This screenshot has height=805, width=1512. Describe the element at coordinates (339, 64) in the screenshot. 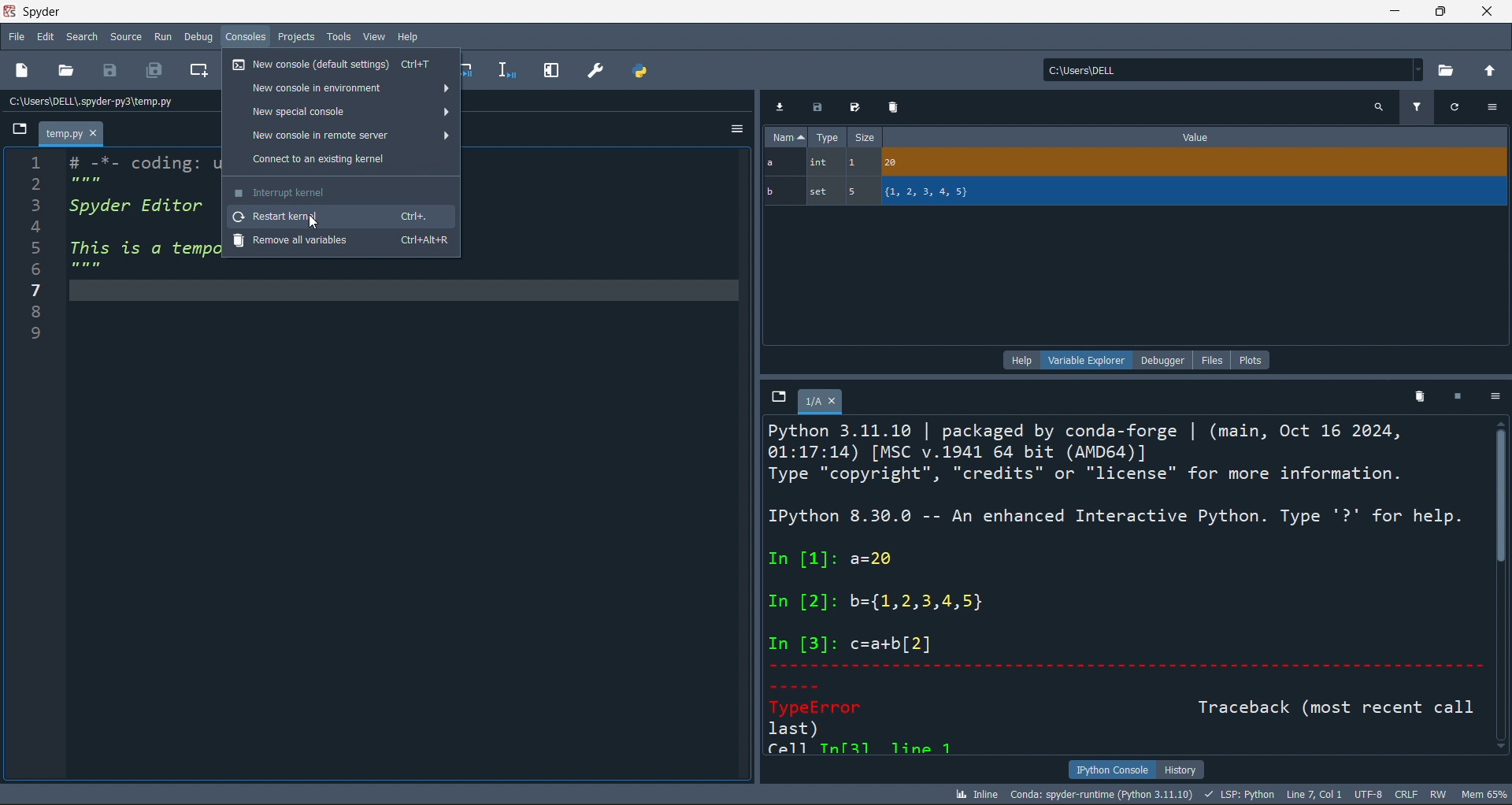

I see `new console (default settings)` at that location.